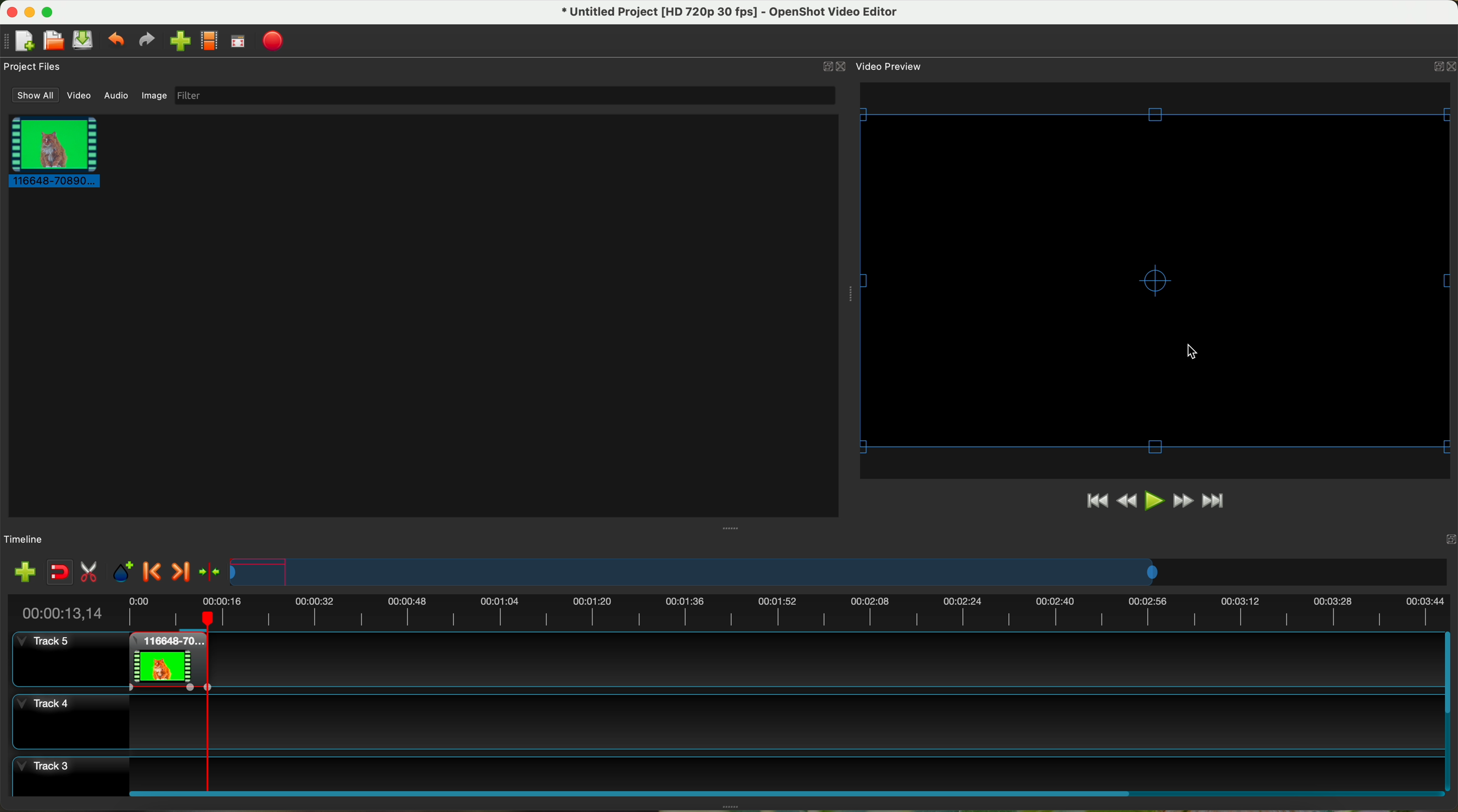 The image size is (1458, 812). What do you see at coordinates (835, 67) in the screenshot?
I see `close` at bounding box center [835, 67].